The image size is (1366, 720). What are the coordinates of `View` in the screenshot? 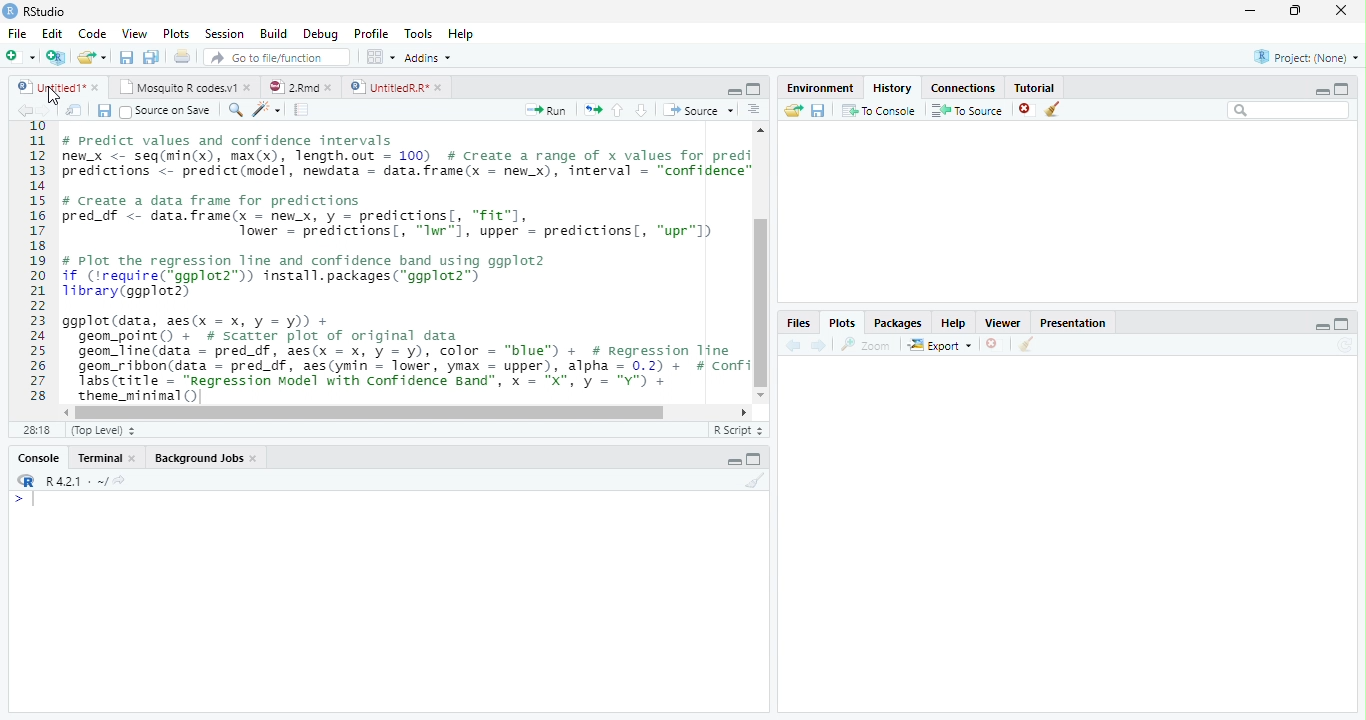 It's located at (134, 34).